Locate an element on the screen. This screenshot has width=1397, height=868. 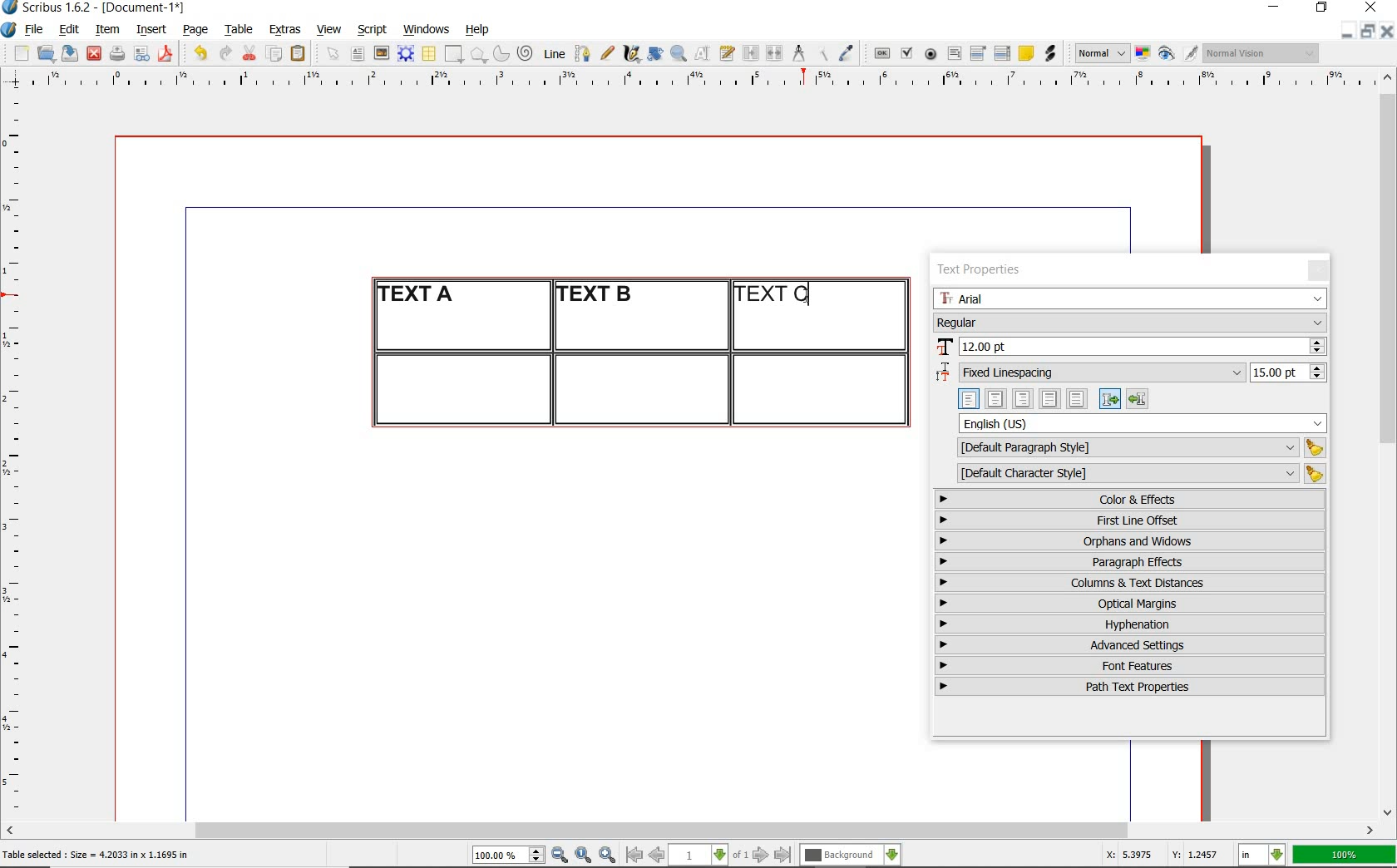
hyphenation is located at coordinates (1130, 624).